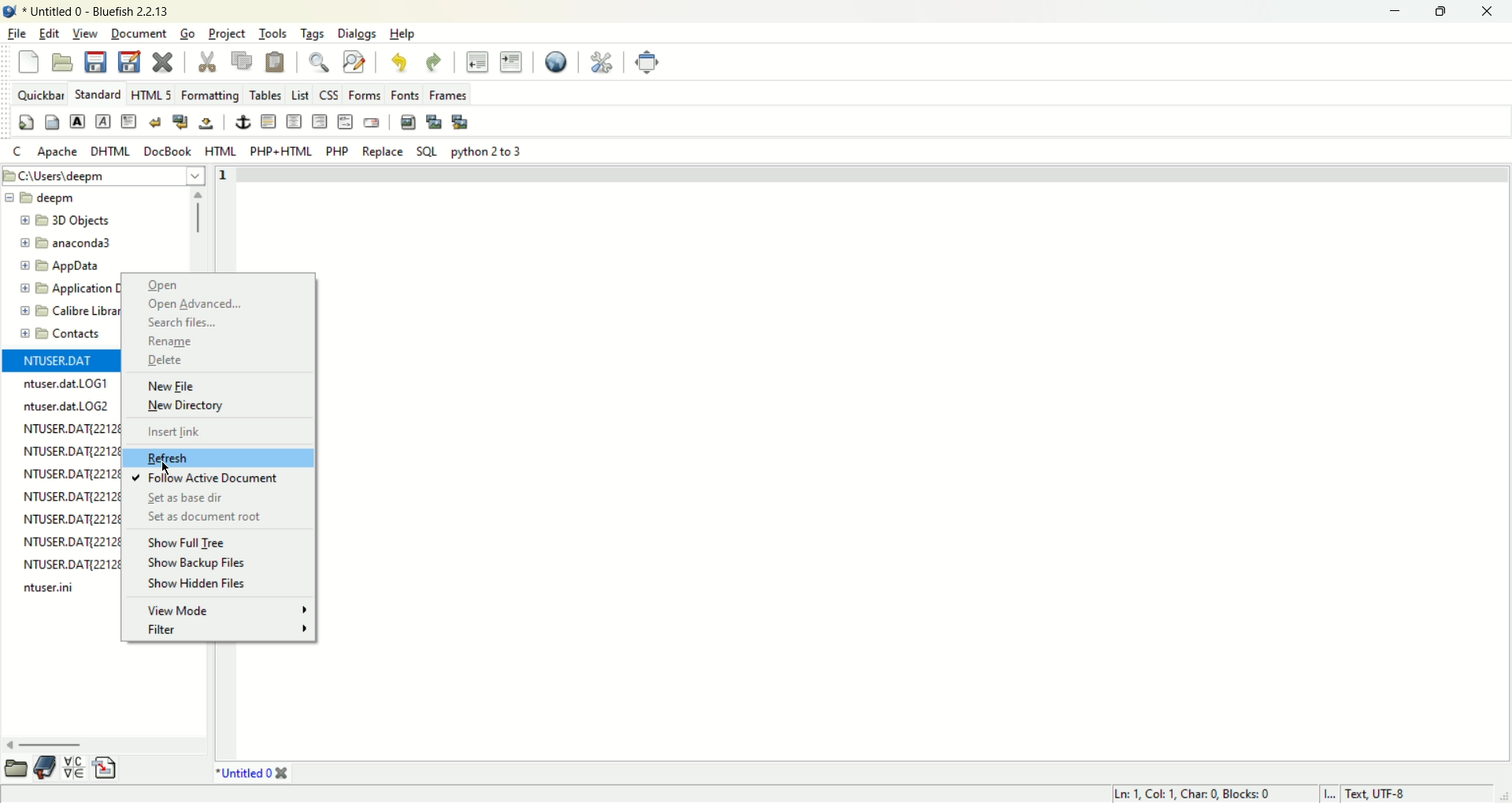 The width and height of the screenshot is (1512, 803). I want to click on break, so click(157, 121).